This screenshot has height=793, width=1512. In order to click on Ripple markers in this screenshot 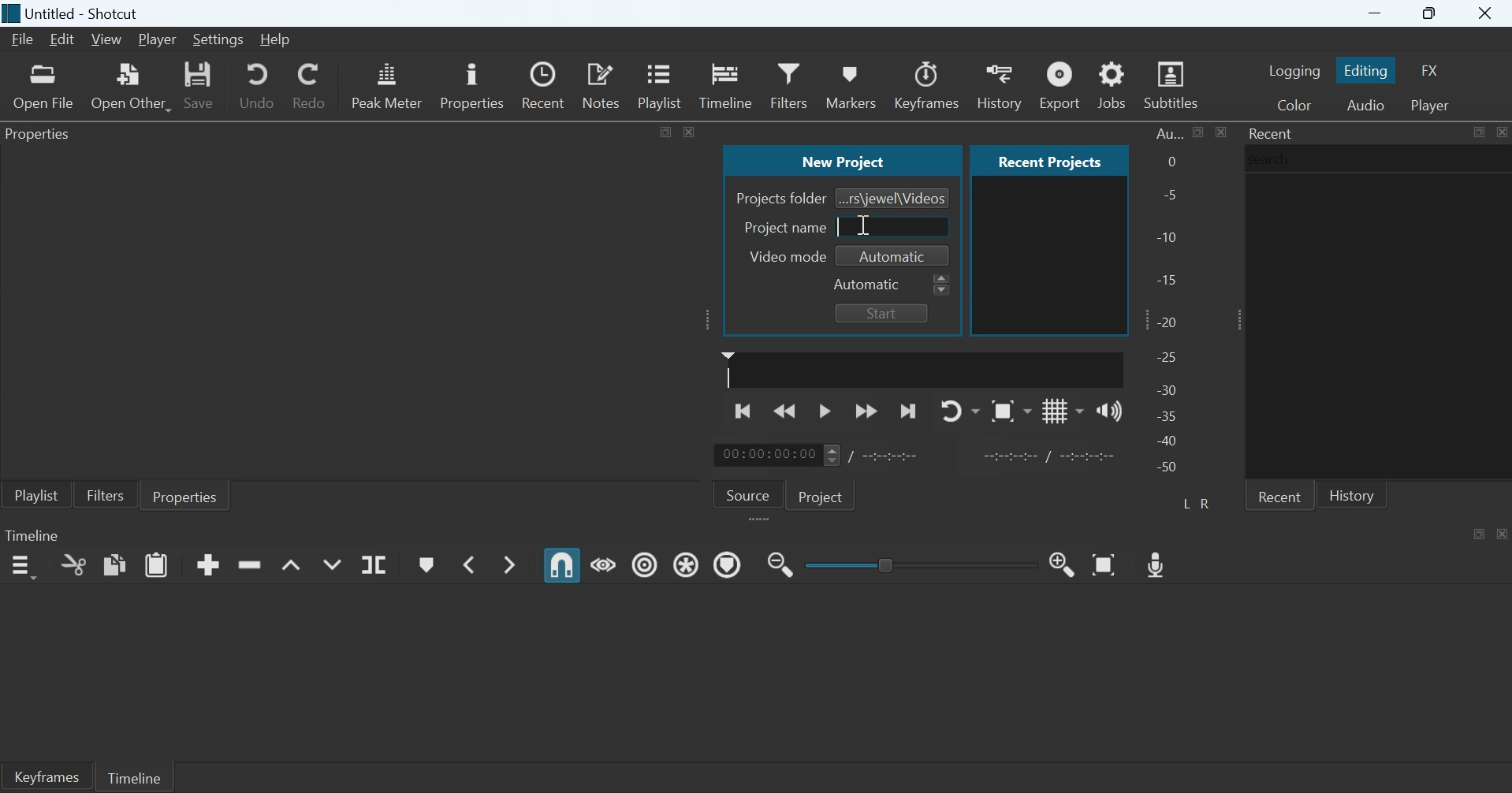, I will do `click(728, 564)`.